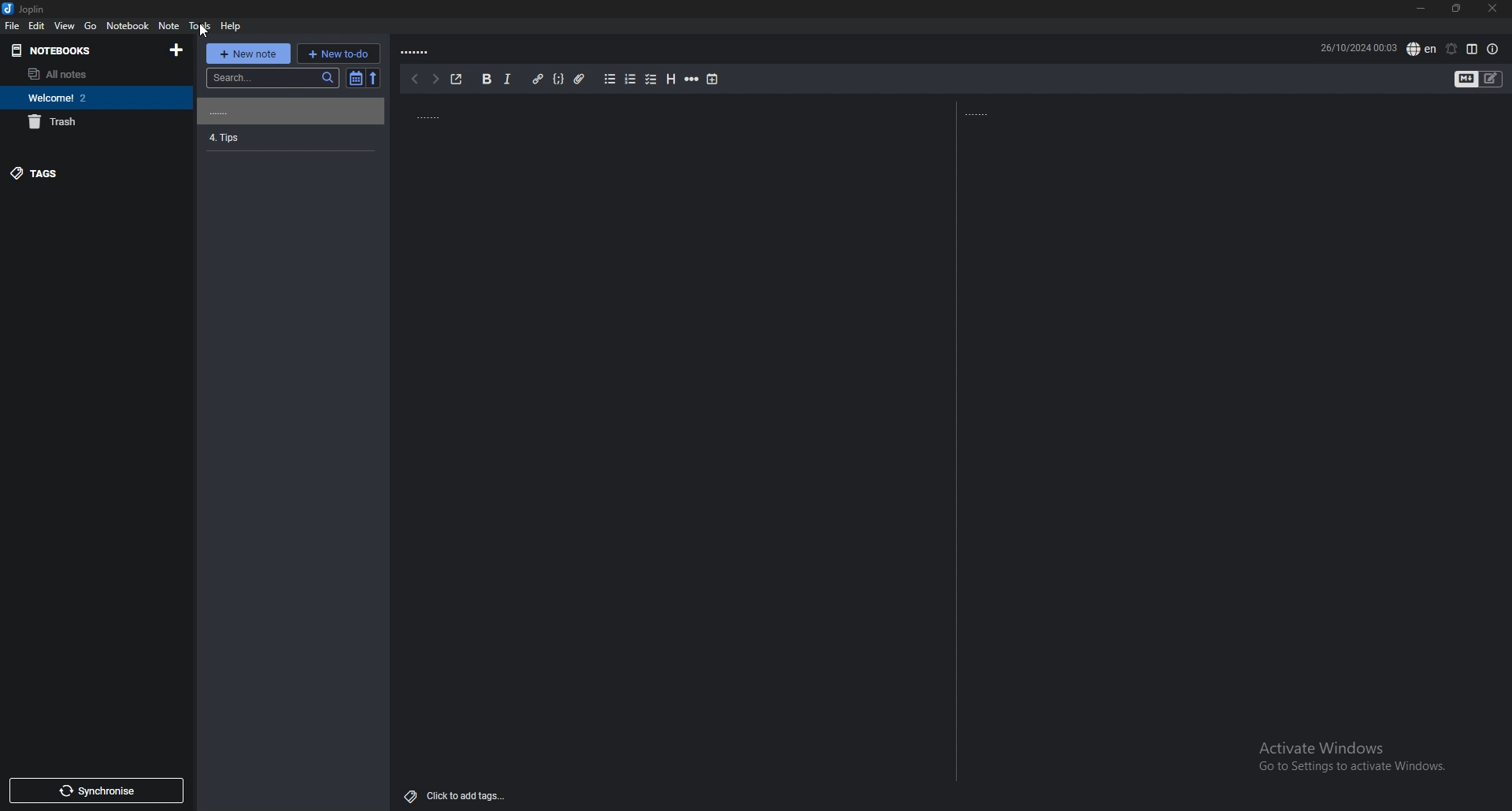 This screenshot has width=1512, height=811. Describe the element at coordinates (88, 98) in the screenshot. I see `welcome` at that location.